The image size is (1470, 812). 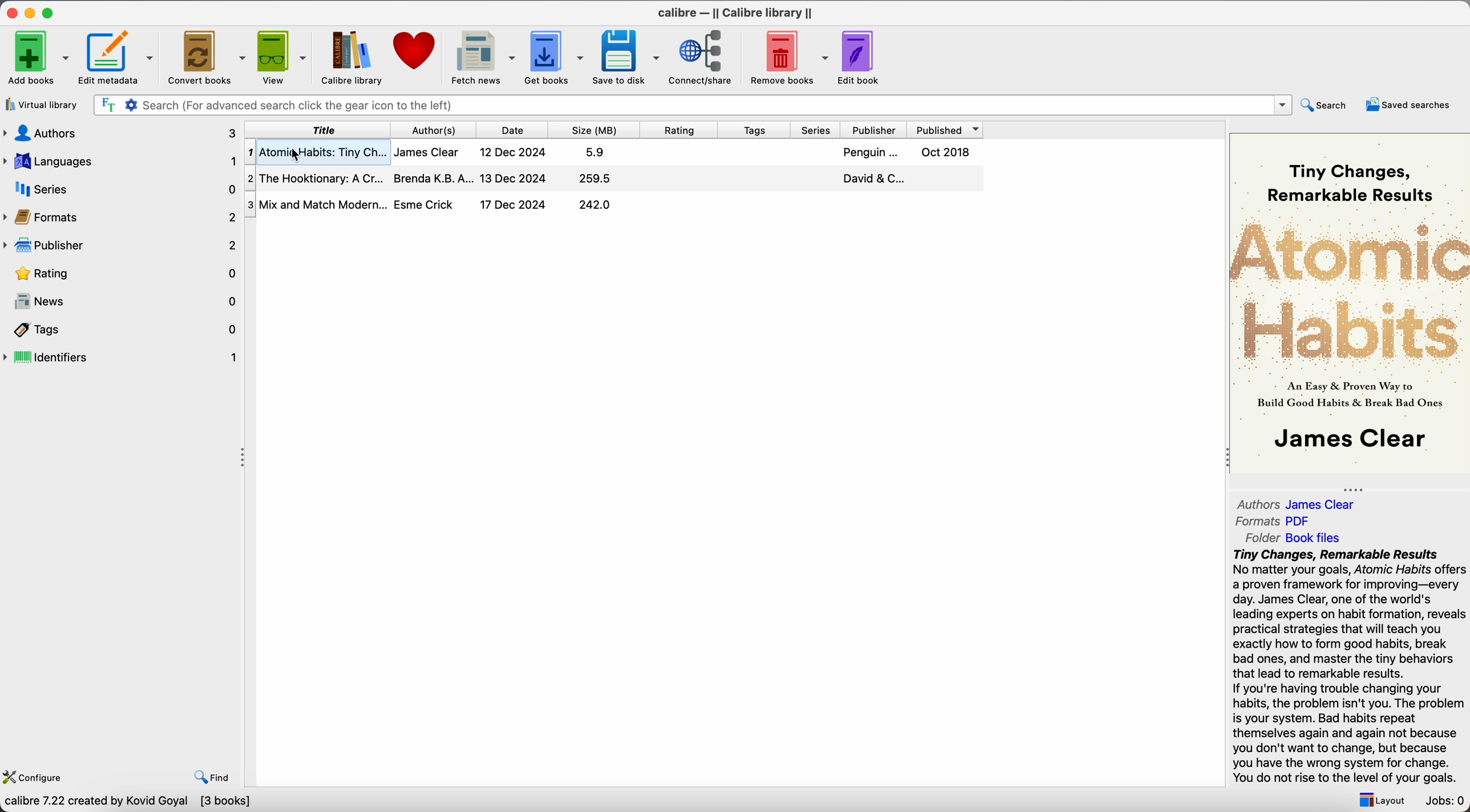 What do you see at coordinates (213, 779) in the screenshot?
I see `find` at bounding box center [213, 779].